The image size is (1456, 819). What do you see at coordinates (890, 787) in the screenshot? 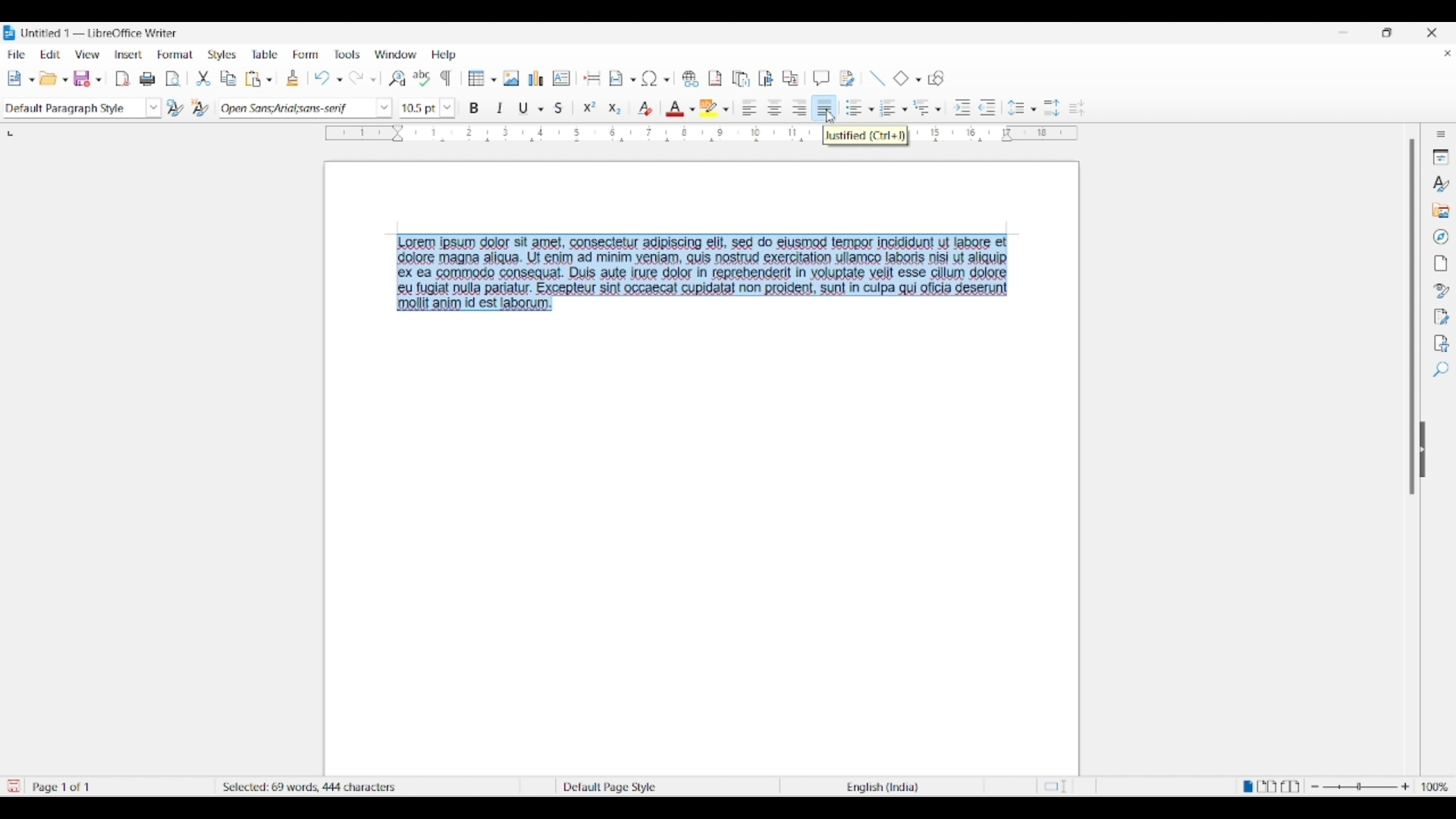
I see `English (India)` at bounding box center [890, 787].